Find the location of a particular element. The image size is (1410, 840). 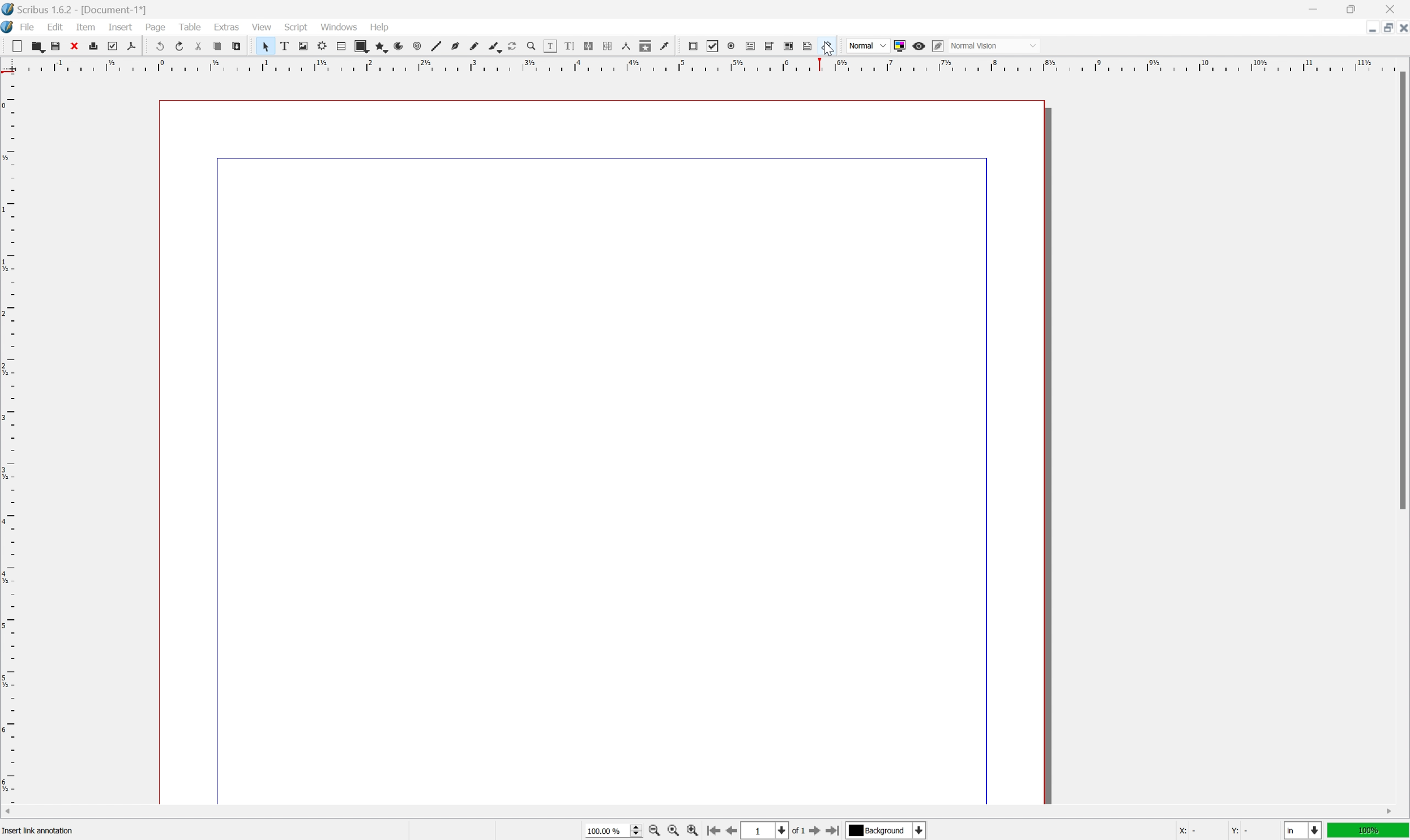

select current layer is located at coordinates (888, 829).